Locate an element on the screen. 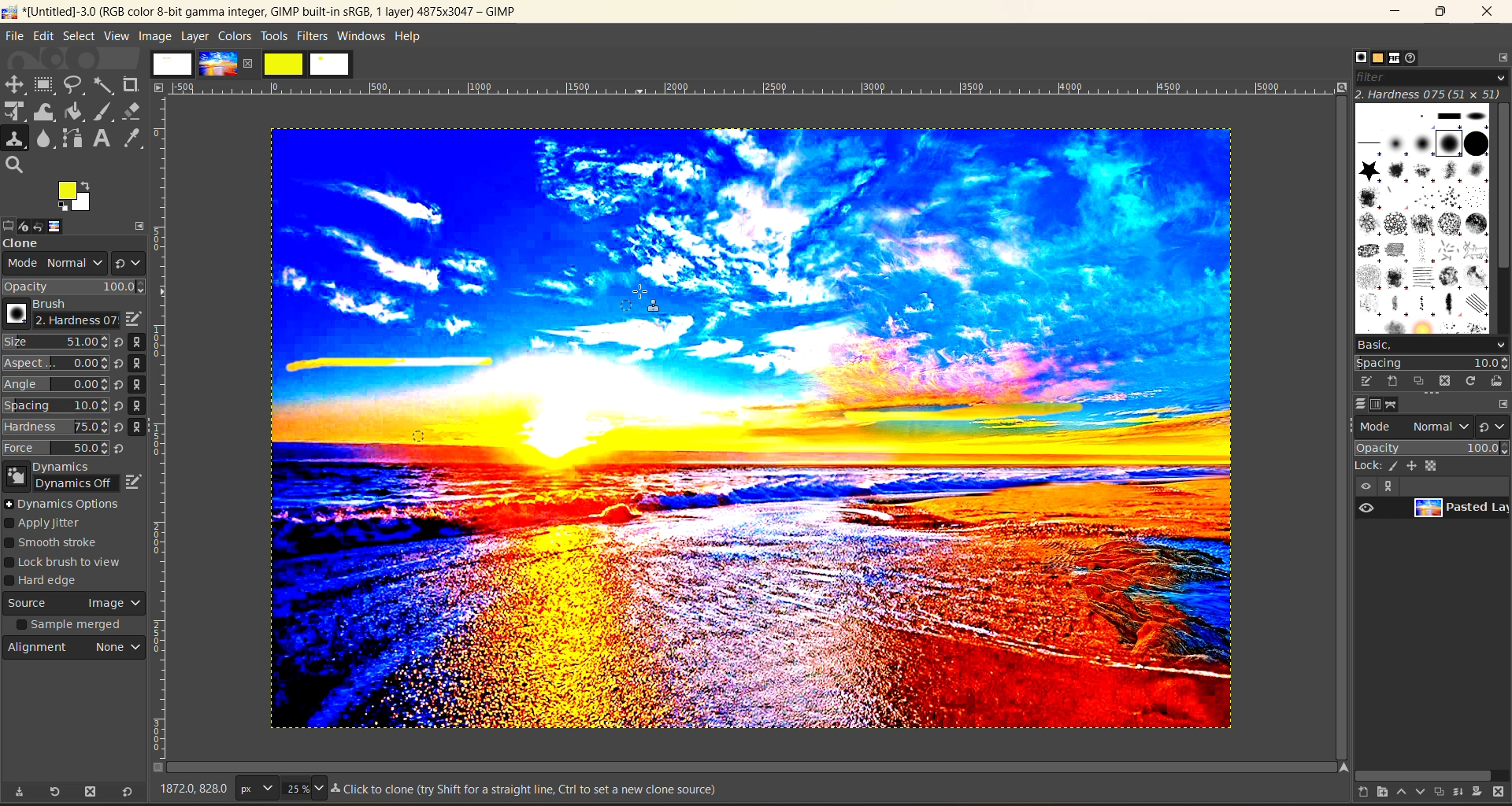 The height and width of the screenshot is (806, 1512). save tool preset is located at coordinates (18, 792).